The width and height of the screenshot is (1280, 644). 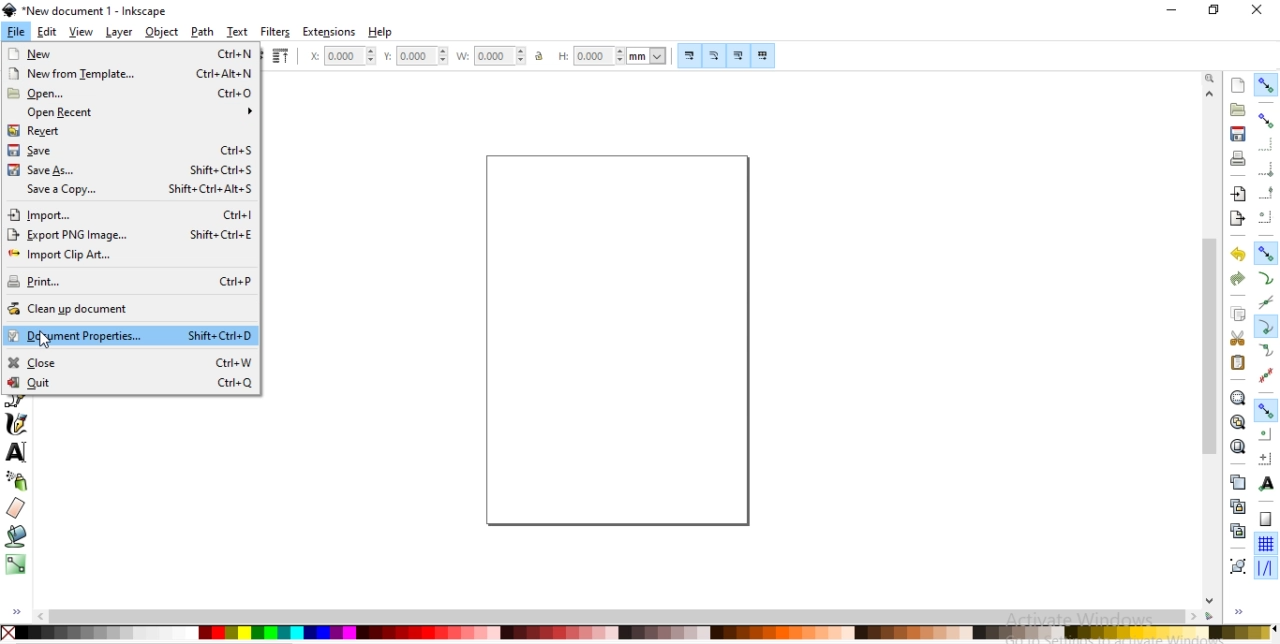 I want to click on snap midpoints of bounding box edges, so click(x=1267, y=193).